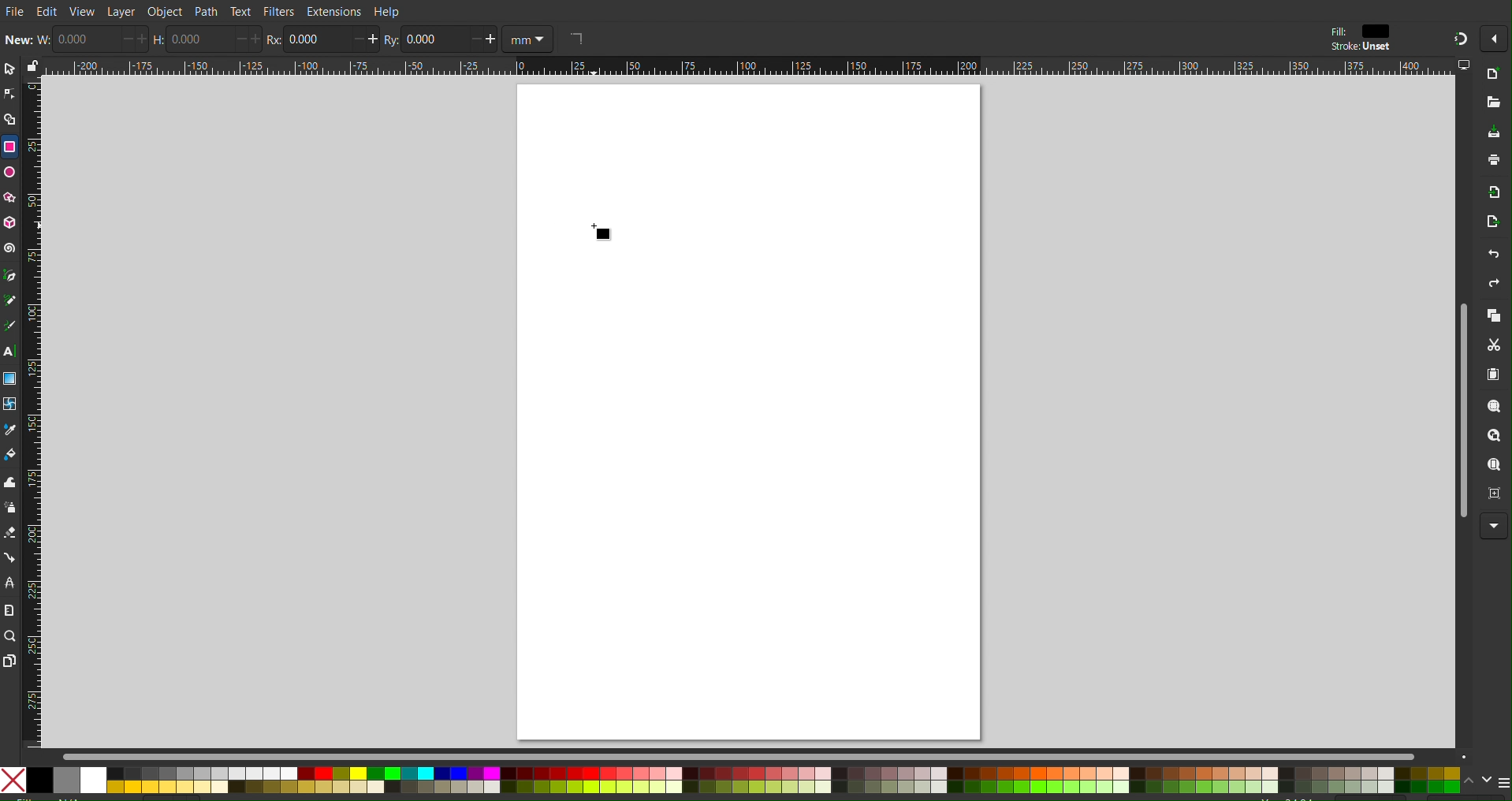  What do you see at coordinates (1489, 195) in the screenshot?
I see `Import Bitmap` at bounding box center [1489, 195].